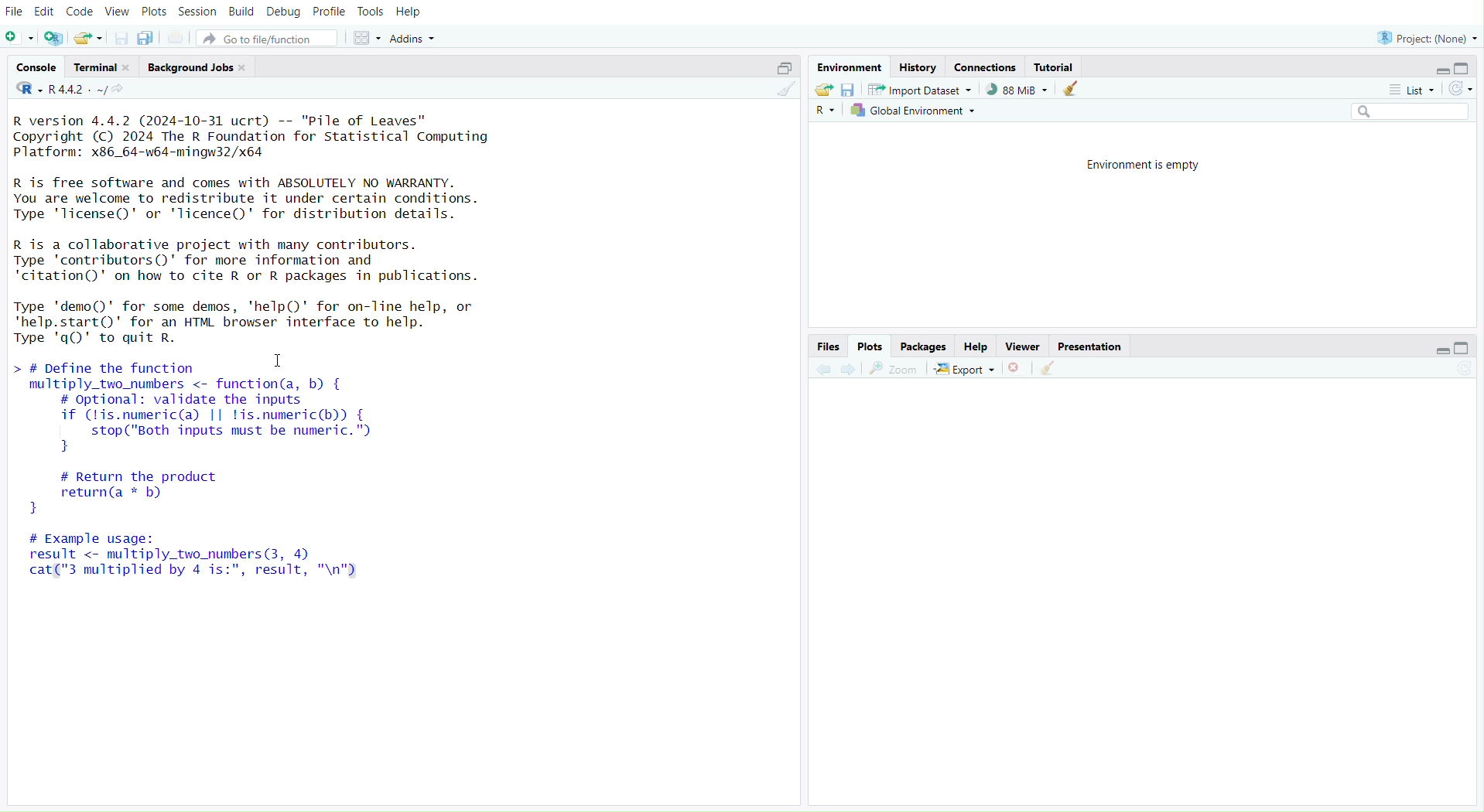  What do you see at coordinates (824, 88) in the screenshot?
I see `Load workspace` at bounding box center [824, 88].